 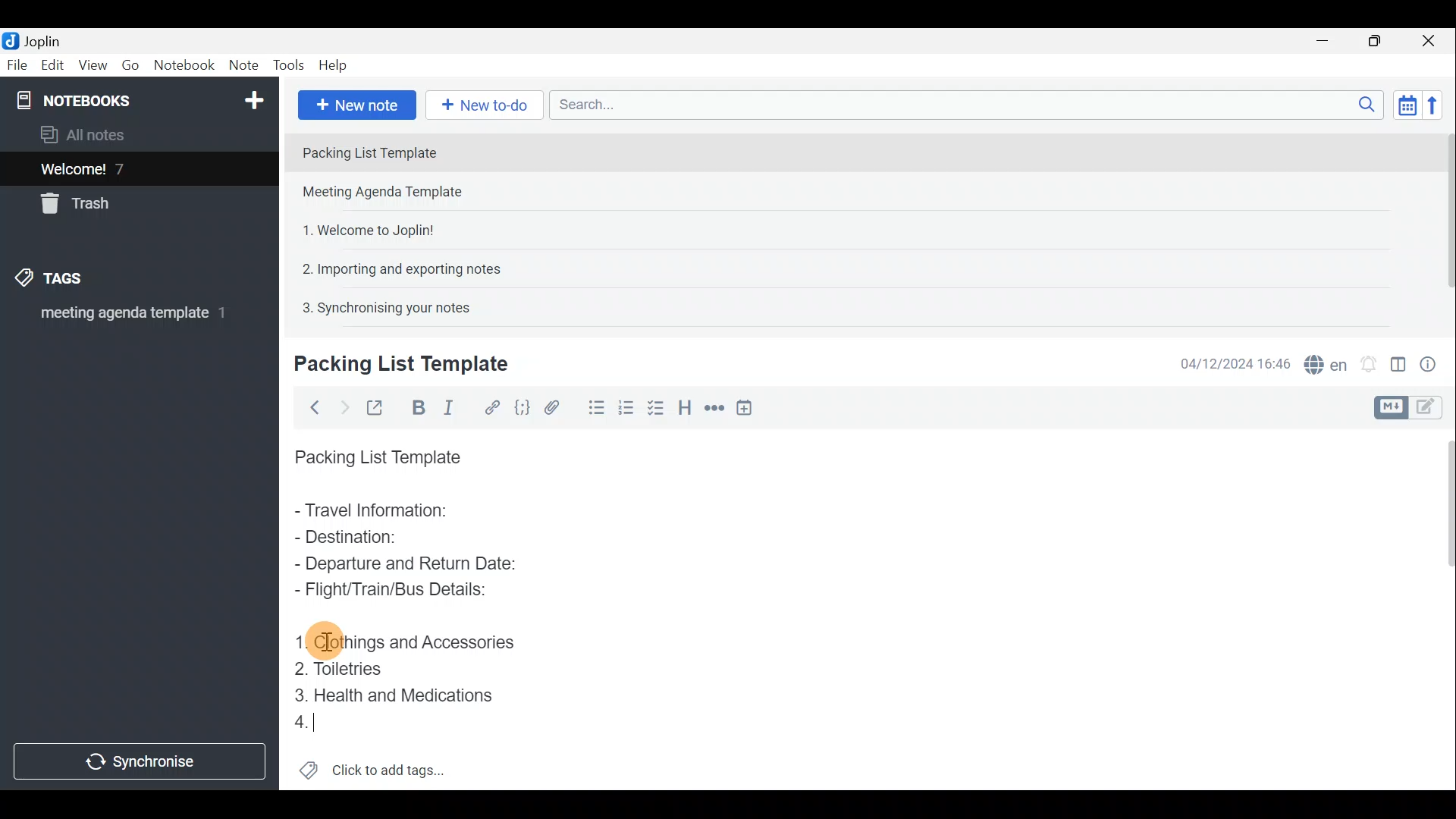 What do you see at coordinates (416, 406) in the screenshot?
I see `Bold` at bounding box center [416, 406].